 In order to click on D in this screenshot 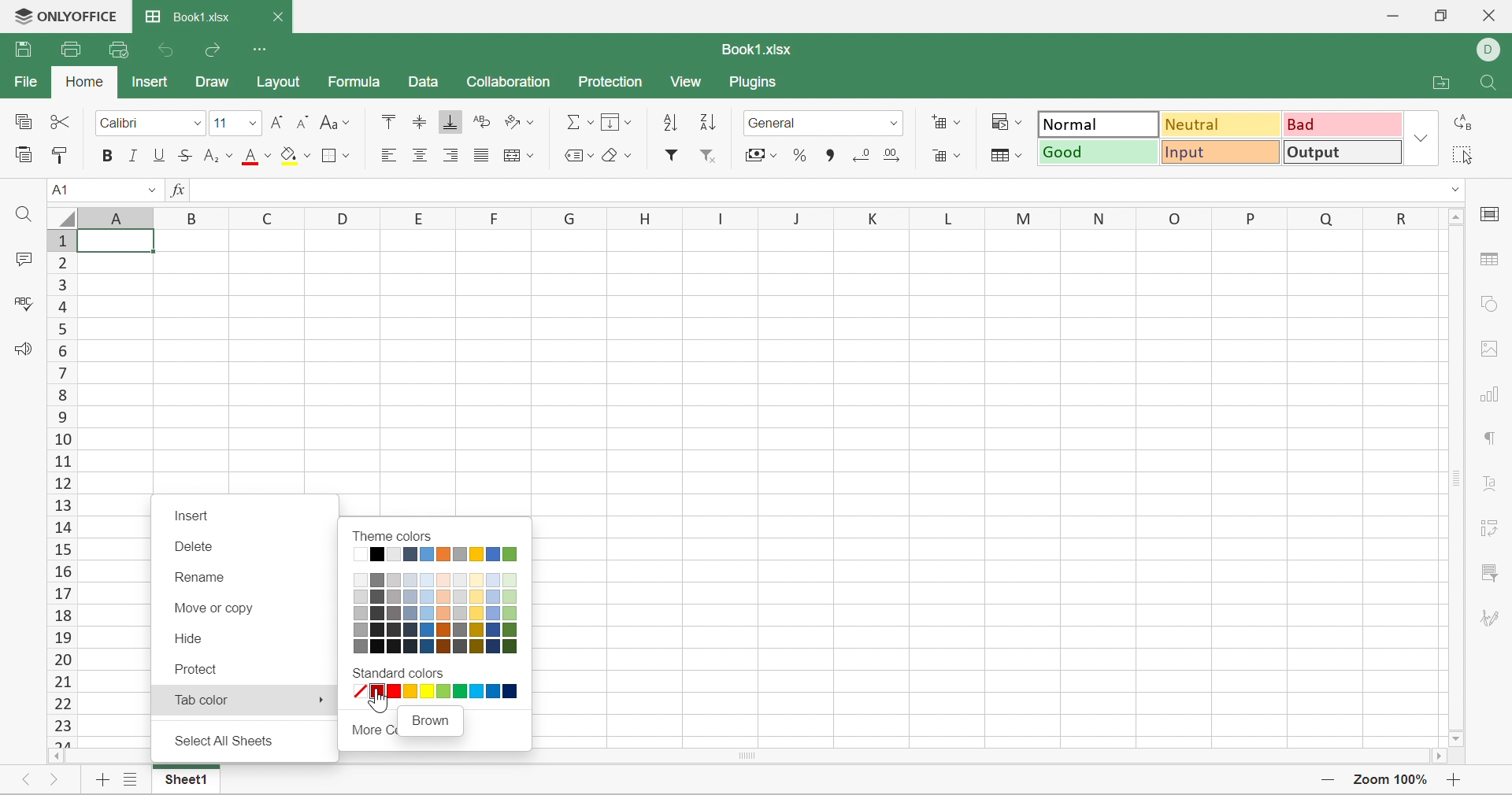, I will do `click(345, 218)`.